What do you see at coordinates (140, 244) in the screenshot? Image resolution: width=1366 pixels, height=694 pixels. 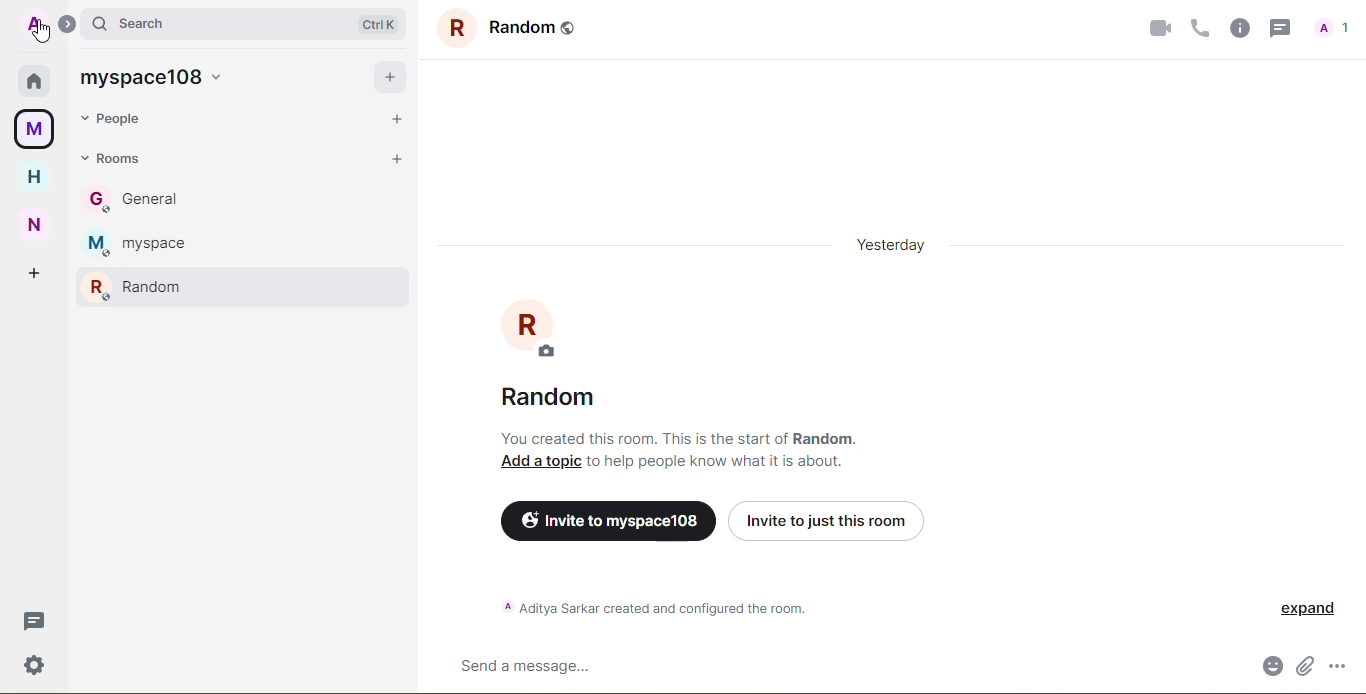 I see `room` at bounding box center [140, 244].